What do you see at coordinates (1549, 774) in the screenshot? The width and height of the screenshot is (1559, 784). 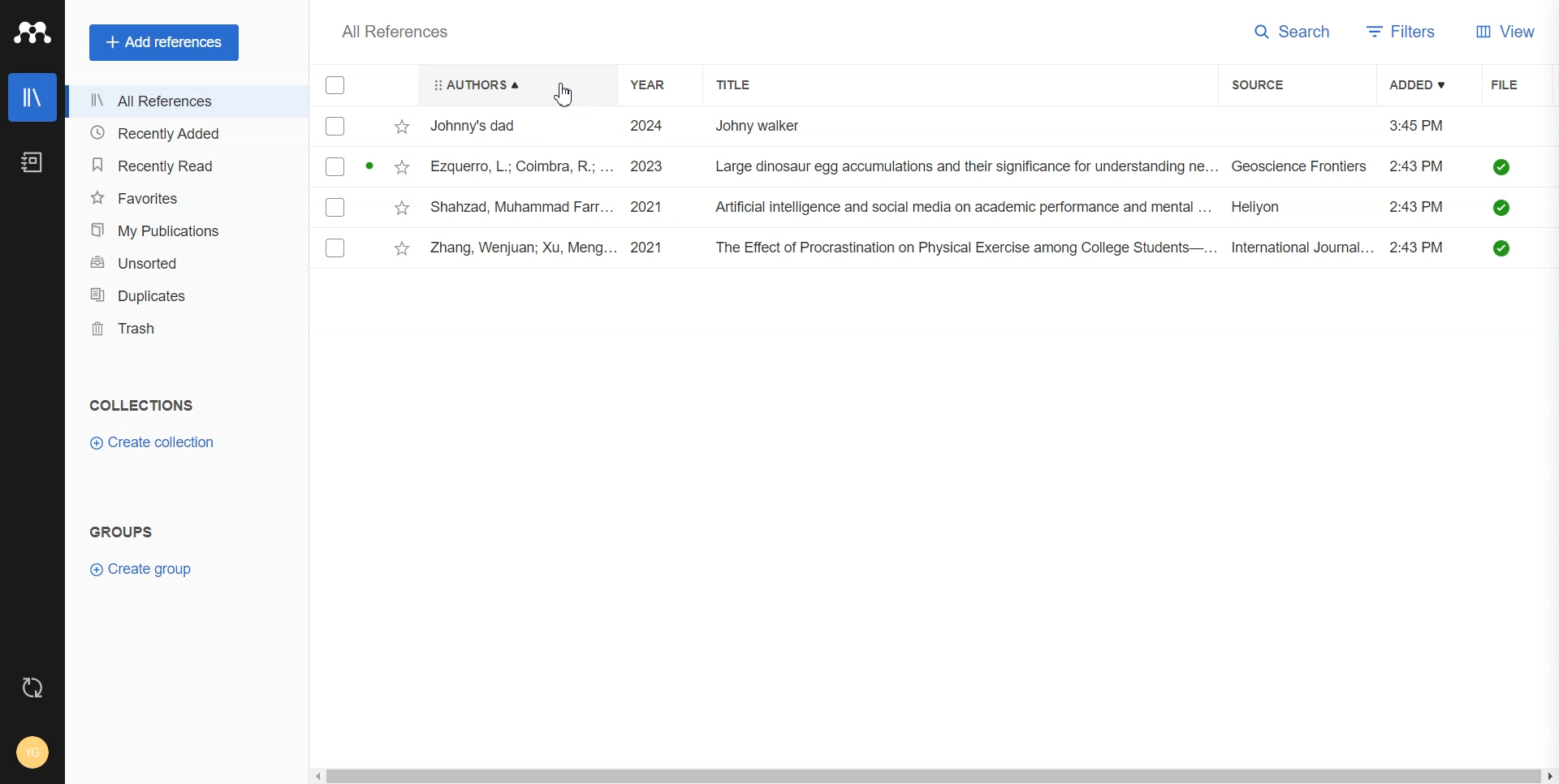 I see `Scroll Right` at bounding box center [1549, 774].